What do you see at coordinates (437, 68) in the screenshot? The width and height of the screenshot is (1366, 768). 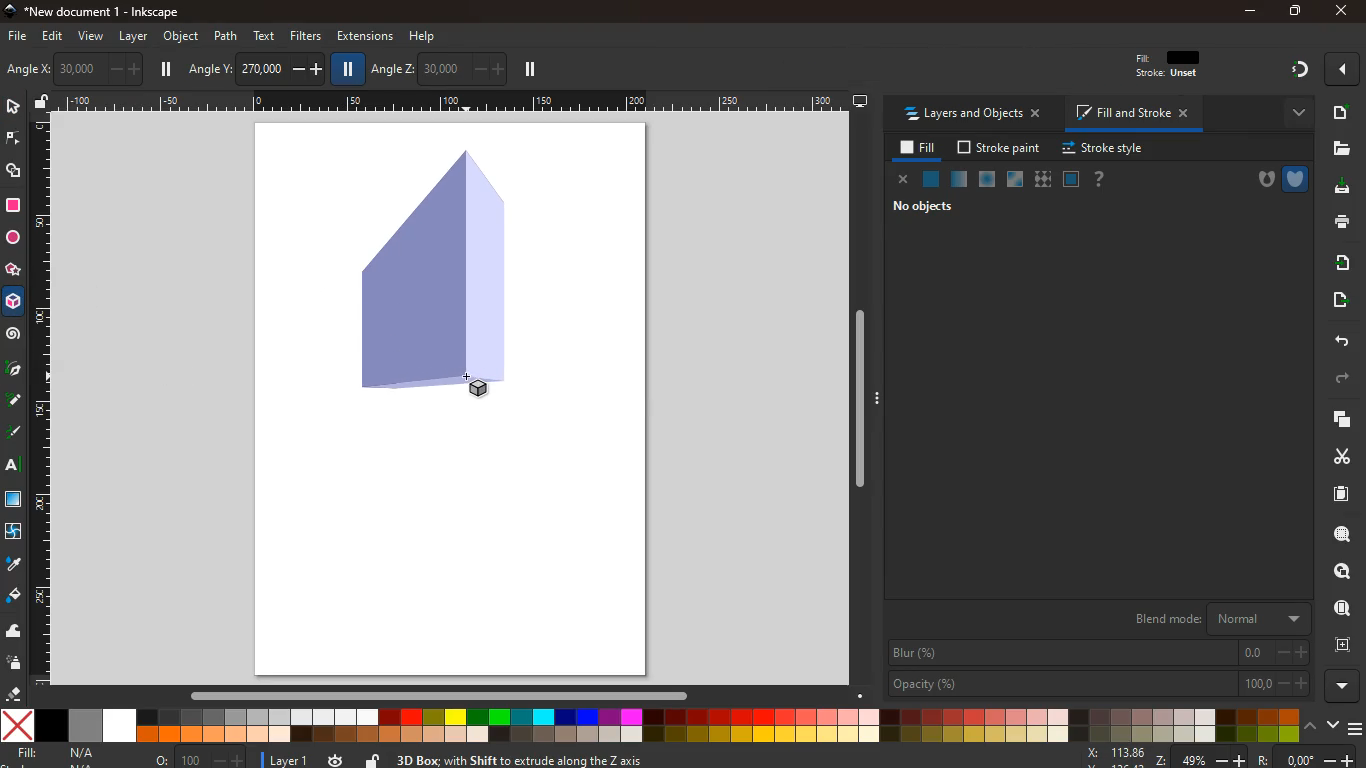 I see `angle z` at bounding box center [437, 68].